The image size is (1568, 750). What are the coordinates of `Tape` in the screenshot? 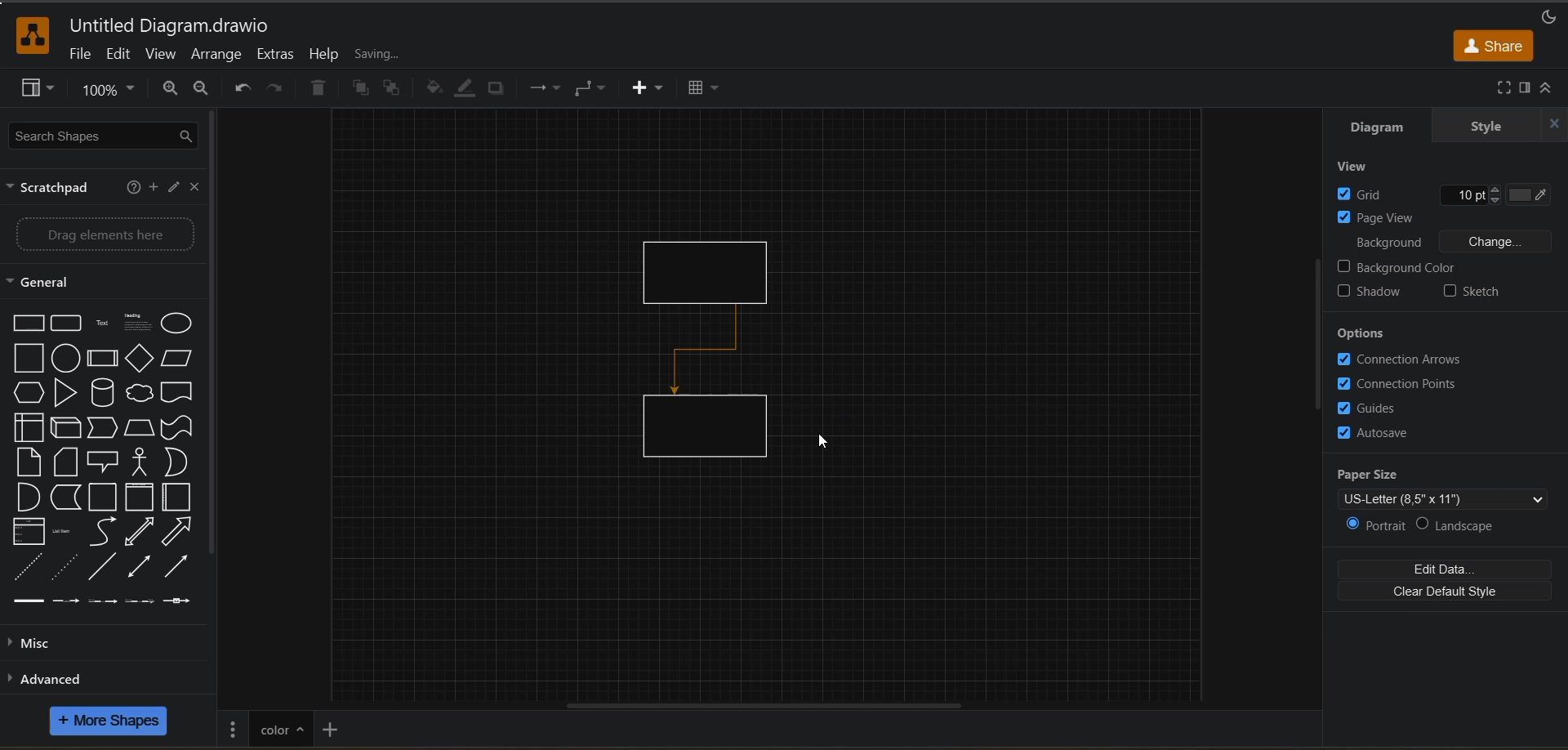 It's located at (178, 428).